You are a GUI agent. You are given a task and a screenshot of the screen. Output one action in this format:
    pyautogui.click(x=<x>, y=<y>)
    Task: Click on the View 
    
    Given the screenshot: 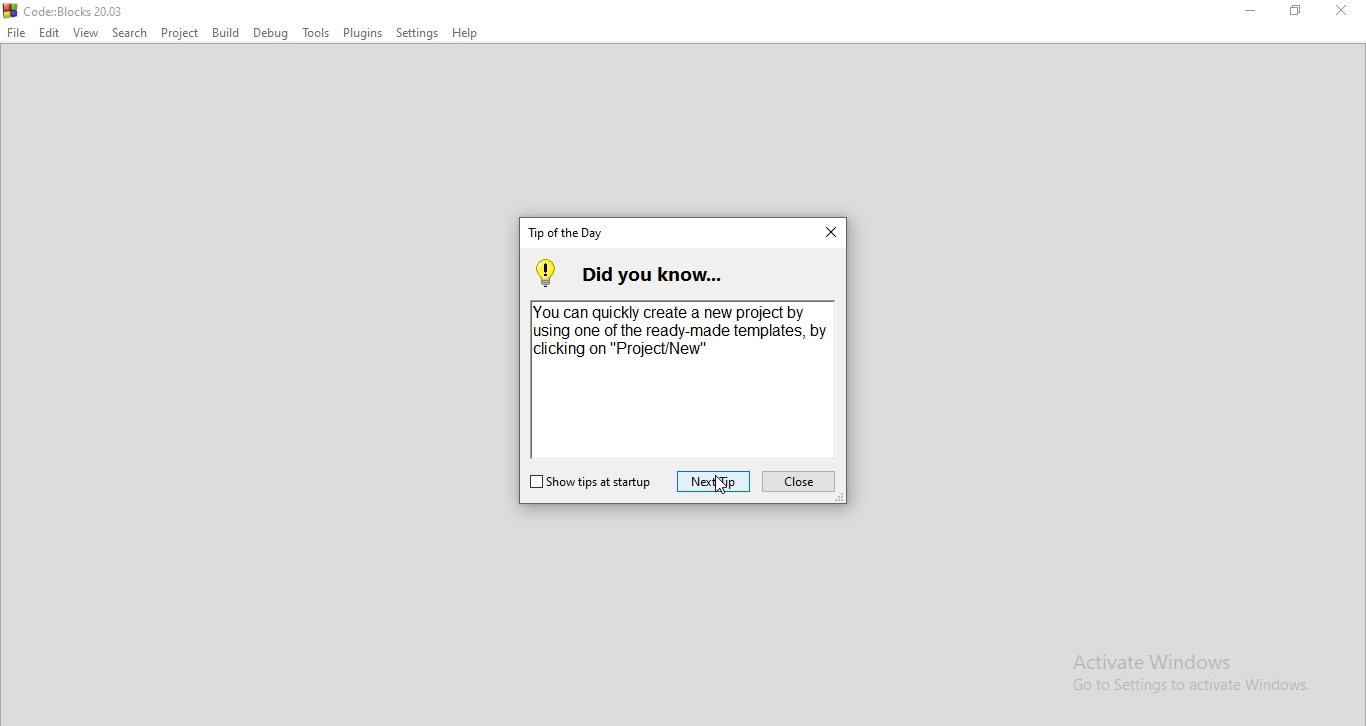 What is the action you would take?
    pyautogui.click(x=86, y=32)
    